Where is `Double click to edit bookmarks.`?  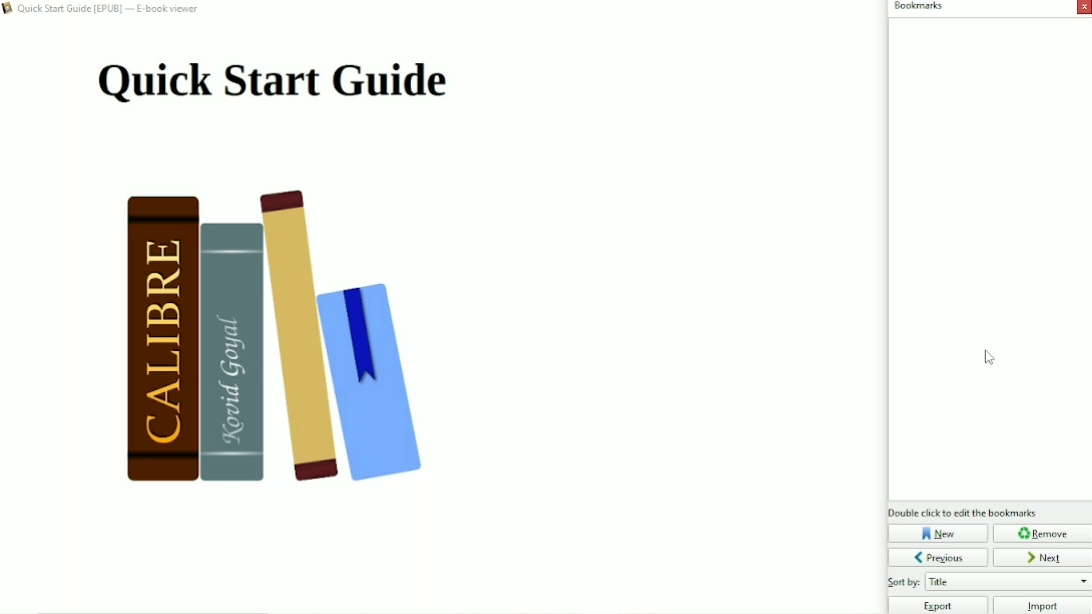 Double click to edit bookmarks. is located at coordinates (965, 513).